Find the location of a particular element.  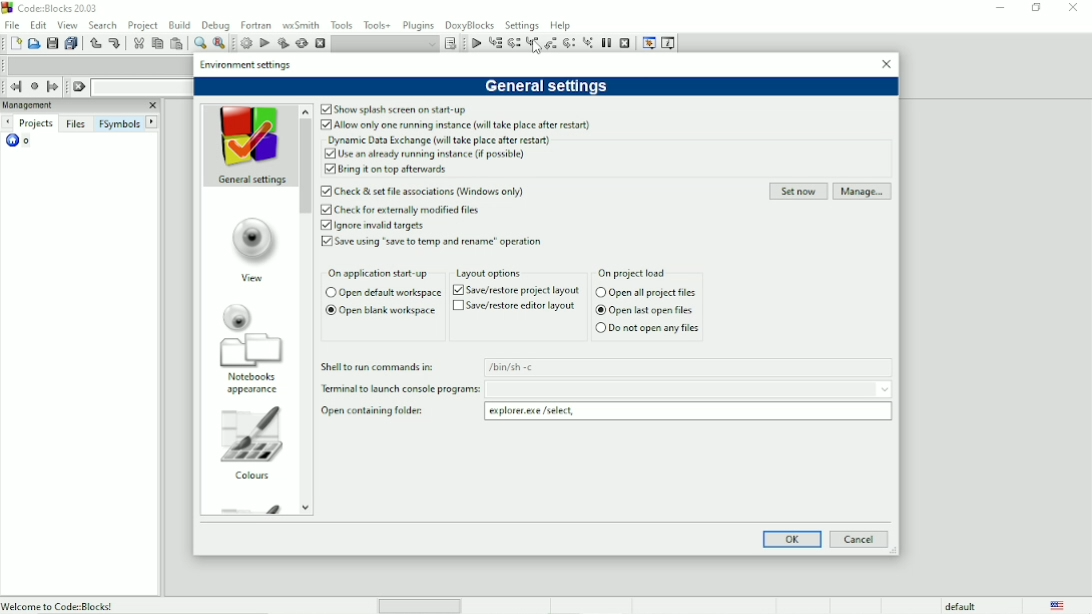

Break debugger is located at coordinates (606, 44).